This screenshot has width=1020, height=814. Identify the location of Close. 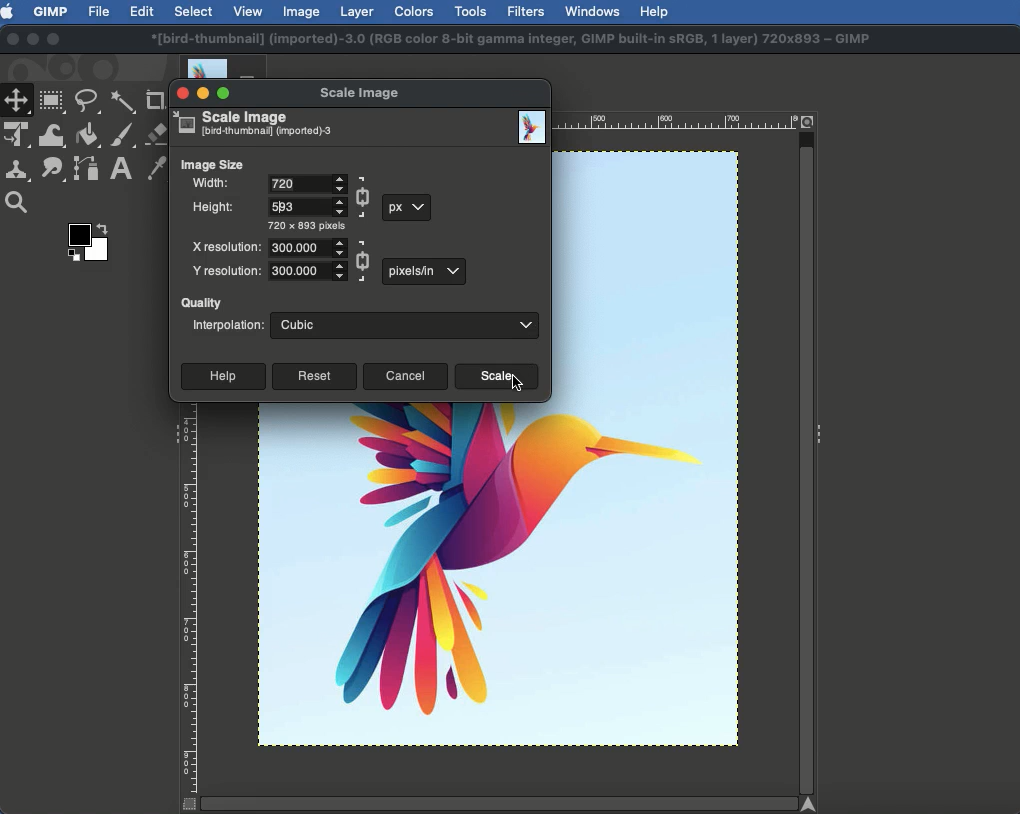
(11, 40).